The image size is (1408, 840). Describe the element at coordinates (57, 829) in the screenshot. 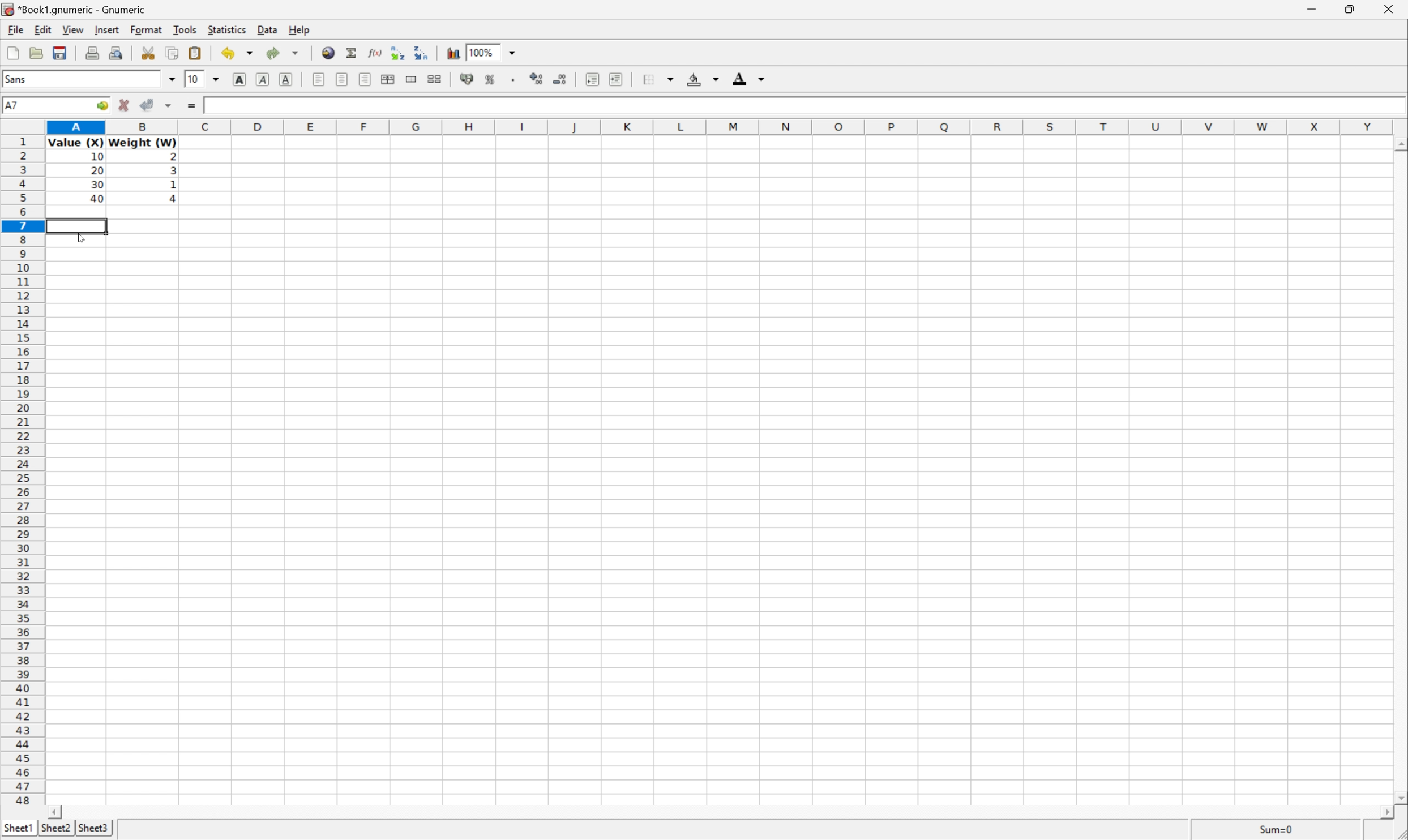

I see `Sheet2` at that location.